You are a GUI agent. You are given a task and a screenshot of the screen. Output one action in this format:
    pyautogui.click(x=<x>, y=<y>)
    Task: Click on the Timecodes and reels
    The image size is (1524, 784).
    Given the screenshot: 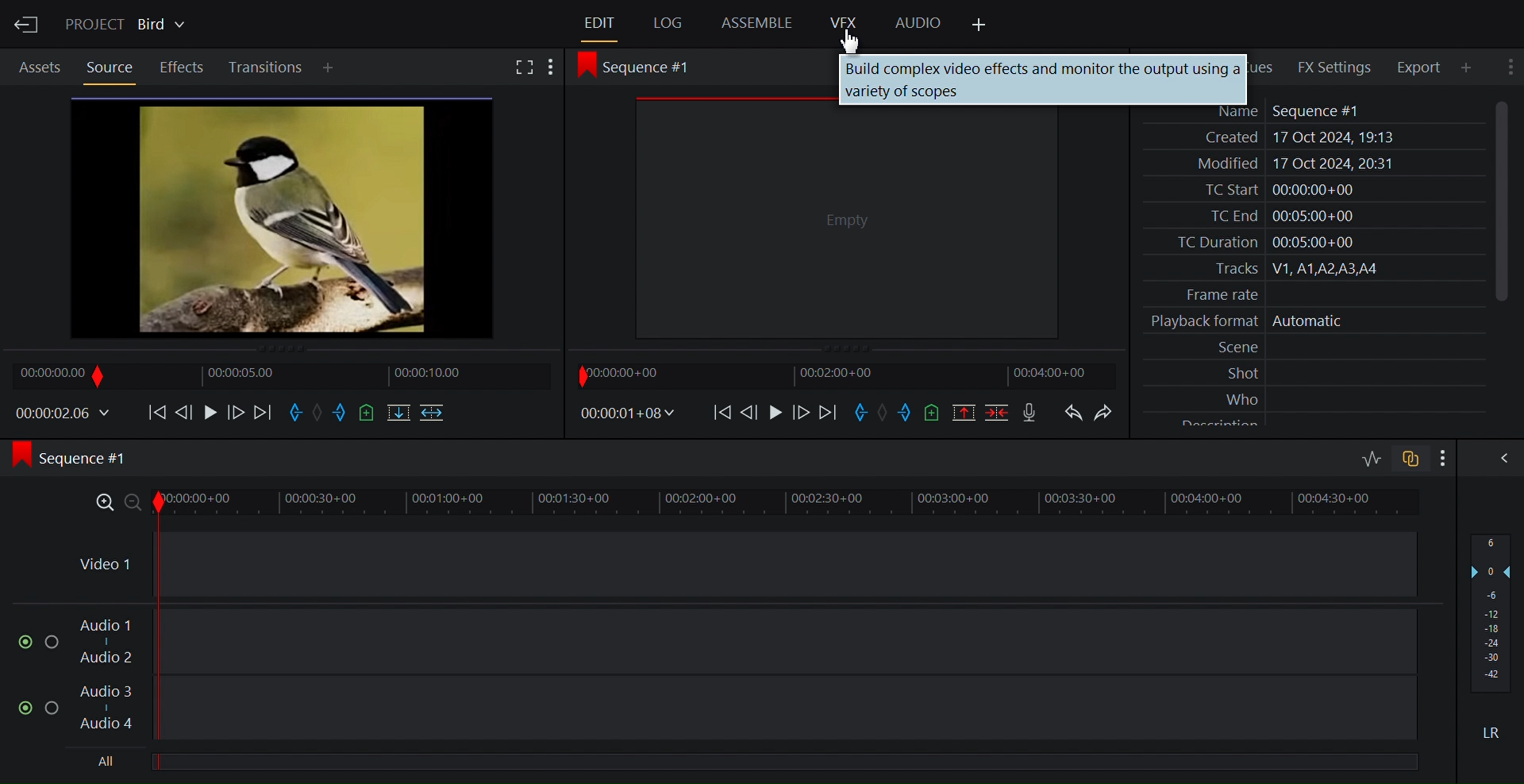 What is the action you would take?
    pyautogui.click(x=635, y=414)
    